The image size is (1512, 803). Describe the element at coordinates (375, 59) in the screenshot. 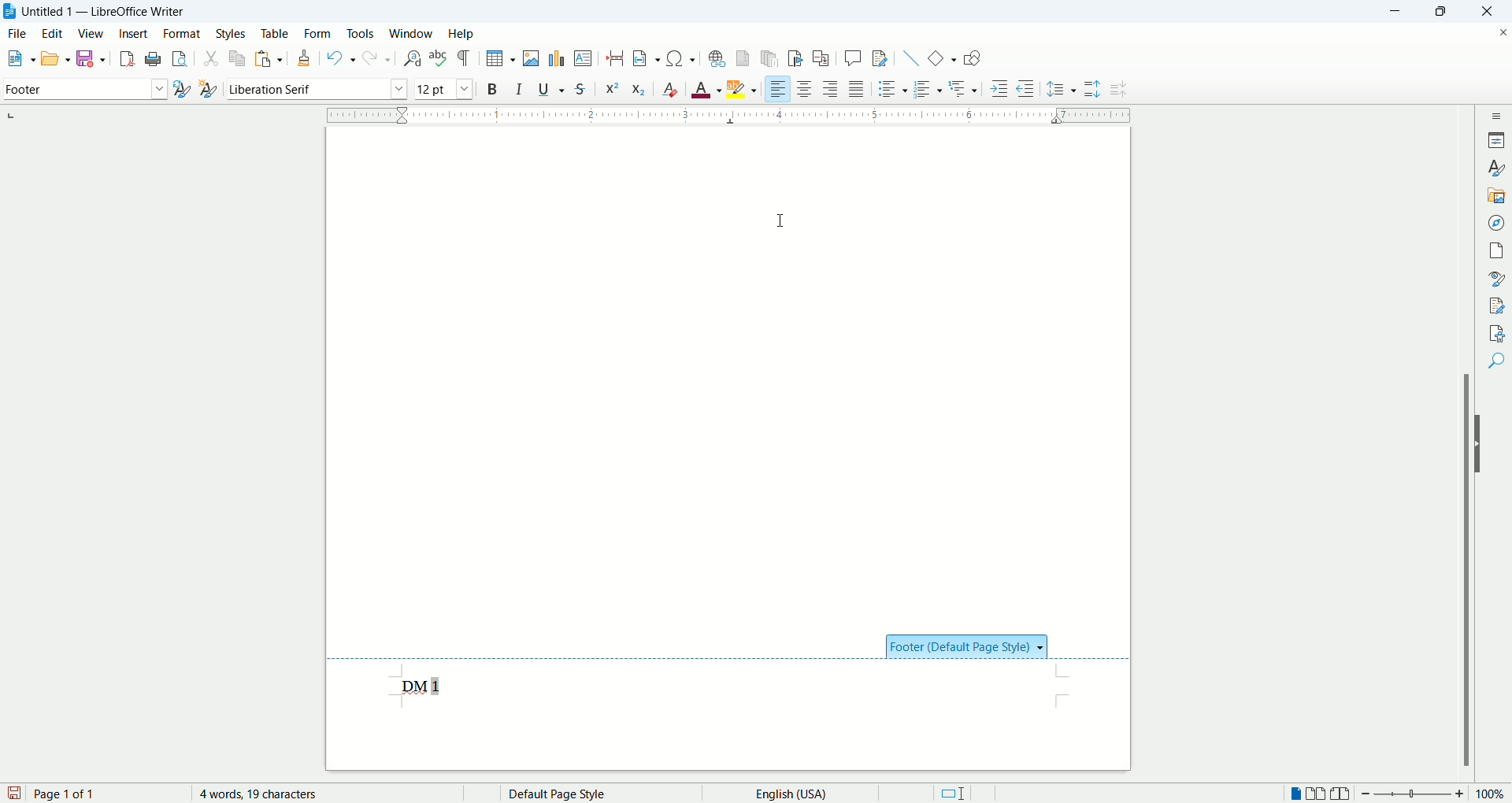

I see `redo` at that location.